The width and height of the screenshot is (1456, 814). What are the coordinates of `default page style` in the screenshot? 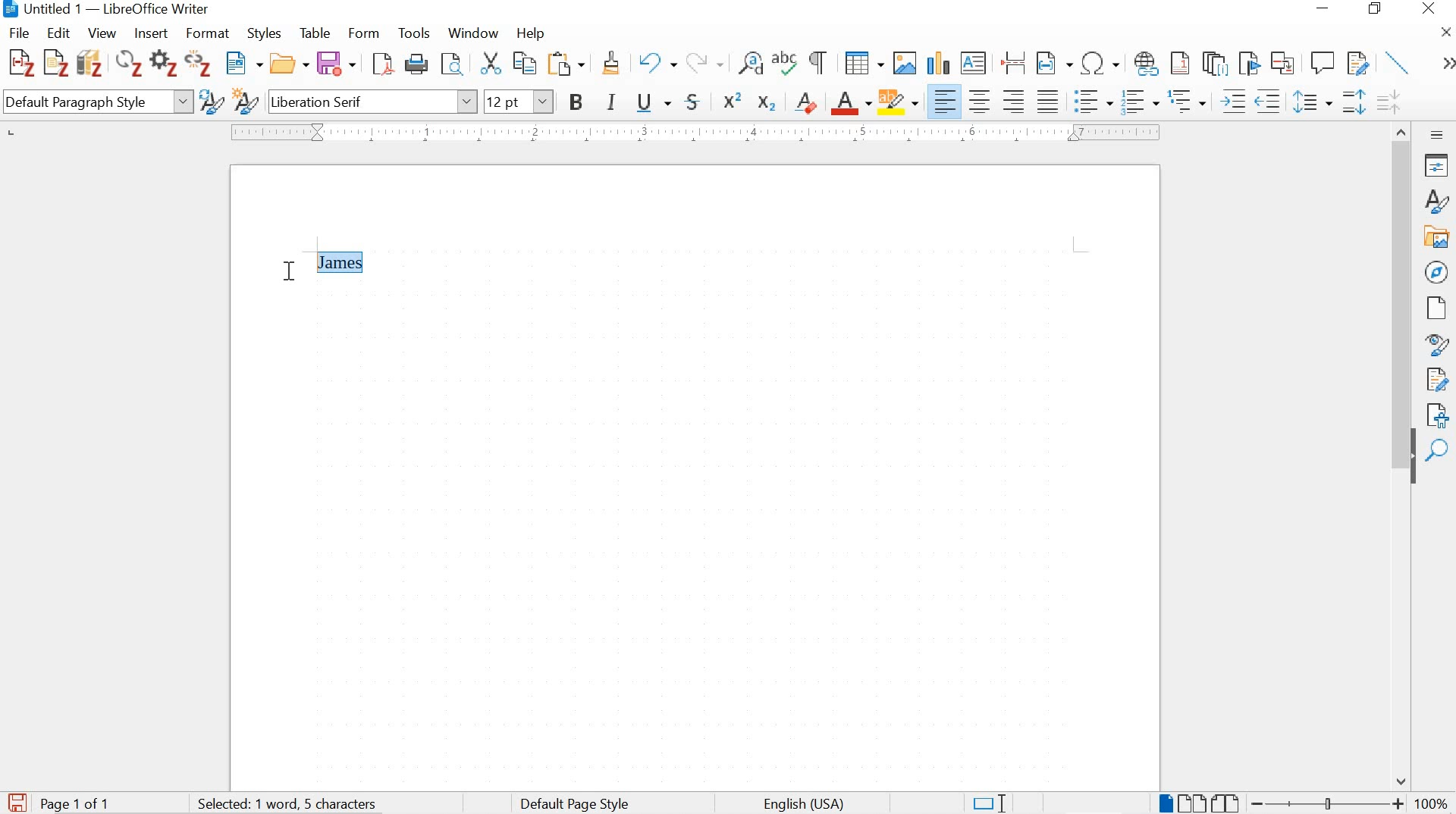 It's located at (578, 803).